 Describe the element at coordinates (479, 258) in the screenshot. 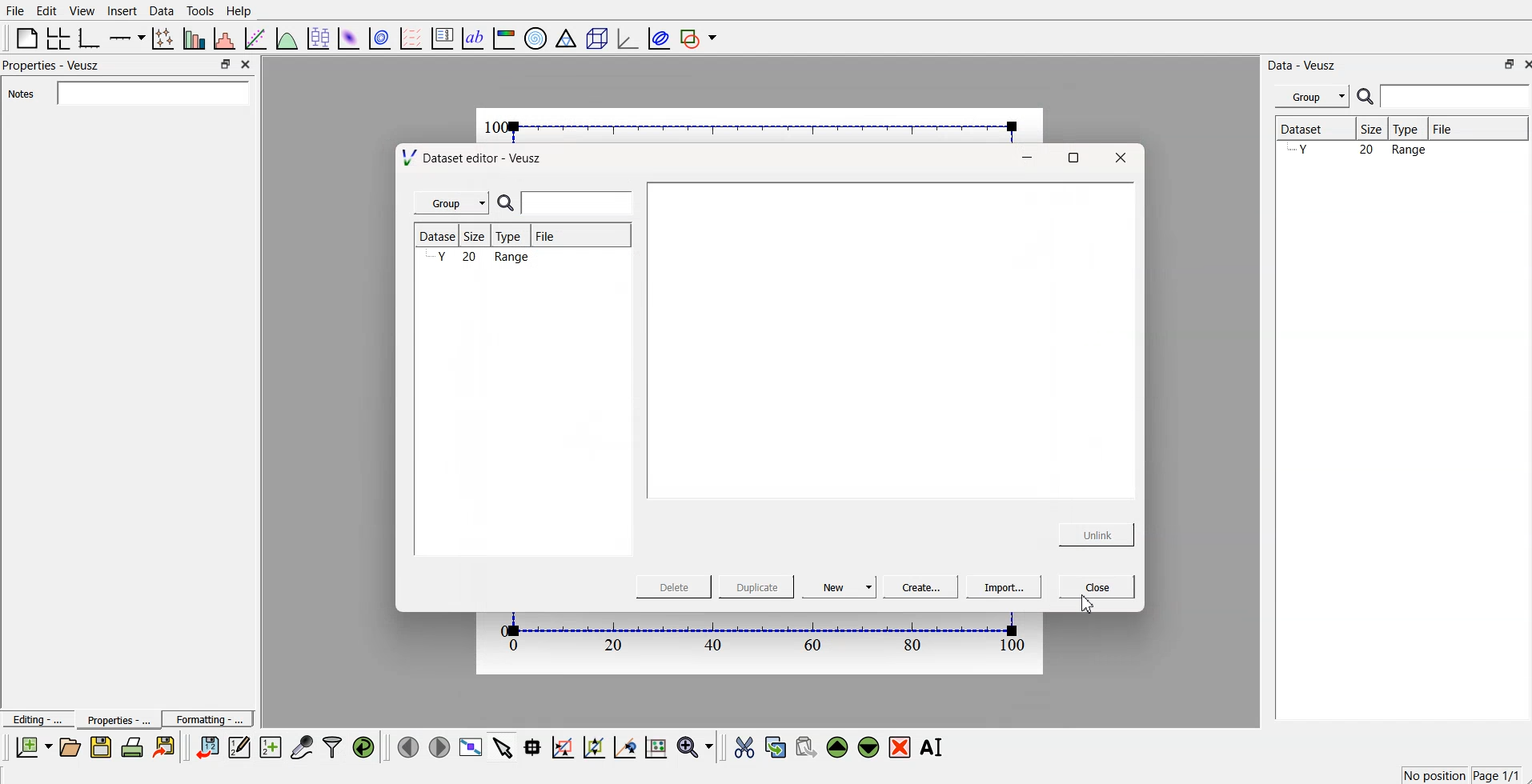

I see `y 20 range` at that location.